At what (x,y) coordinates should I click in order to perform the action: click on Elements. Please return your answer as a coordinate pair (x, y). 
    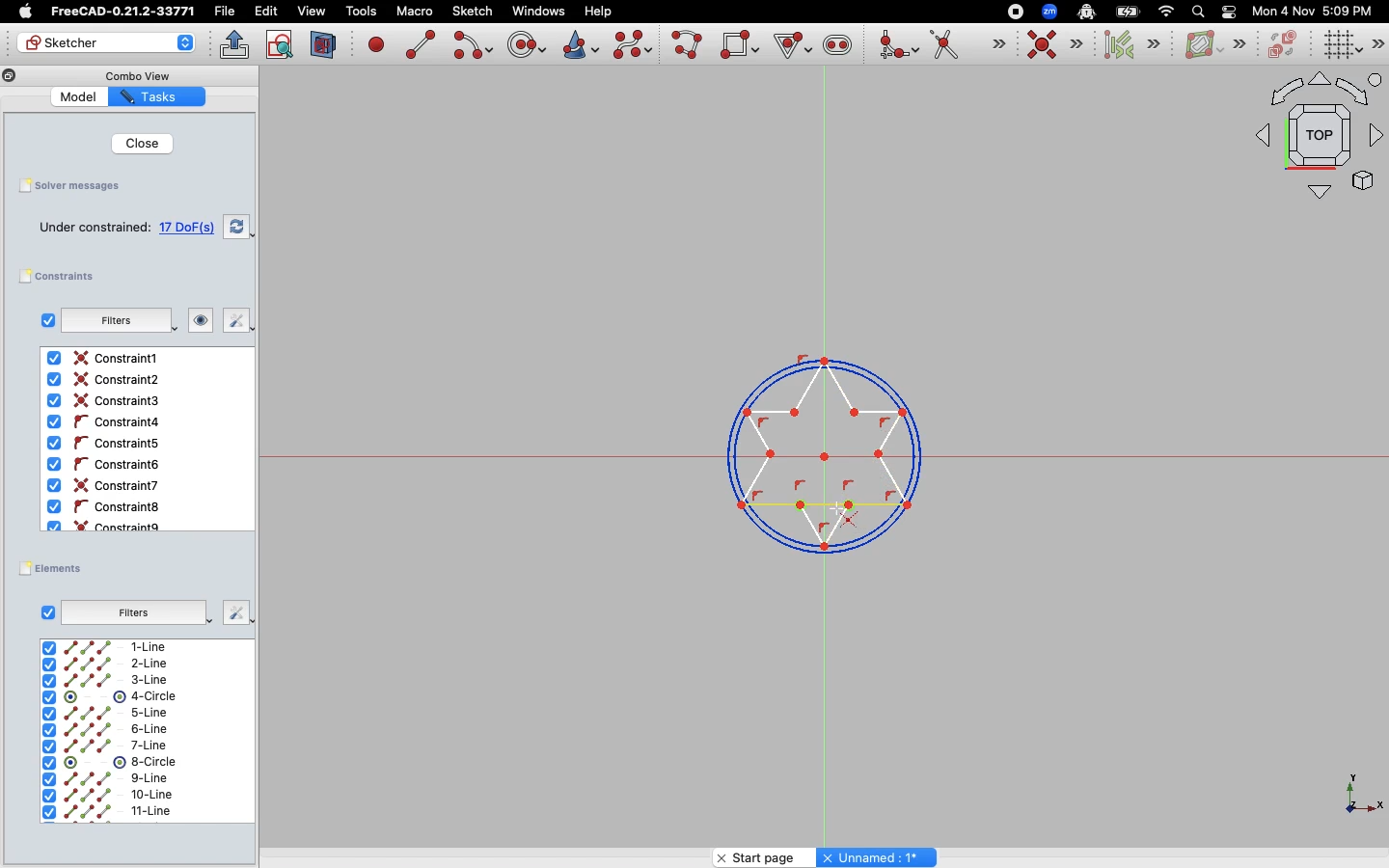
    Looking at the image, I should click on (56, 568).